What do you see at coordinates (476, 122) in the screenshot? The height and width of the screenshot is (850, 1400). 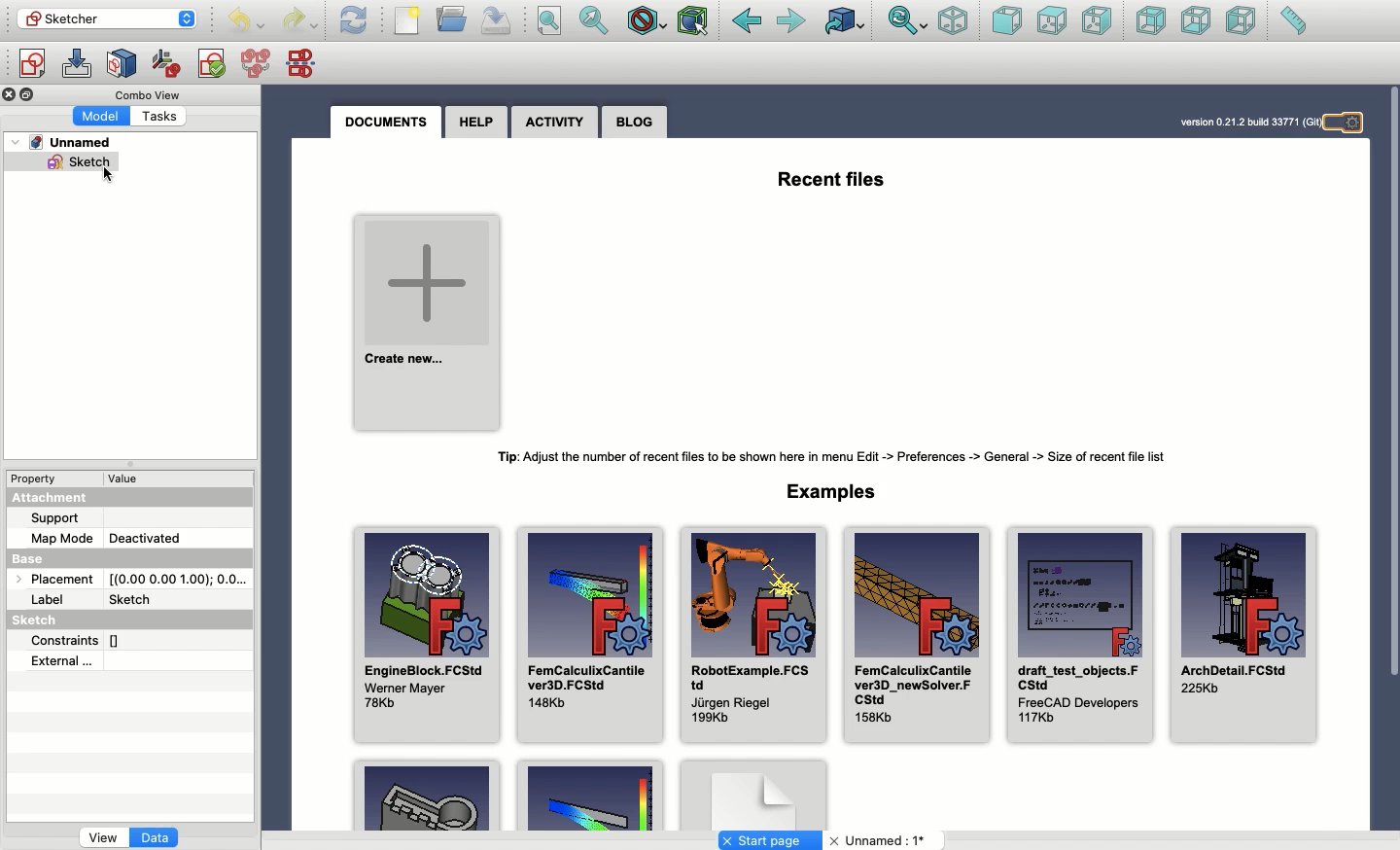 I see `Help` at bounding box center [476, 122].